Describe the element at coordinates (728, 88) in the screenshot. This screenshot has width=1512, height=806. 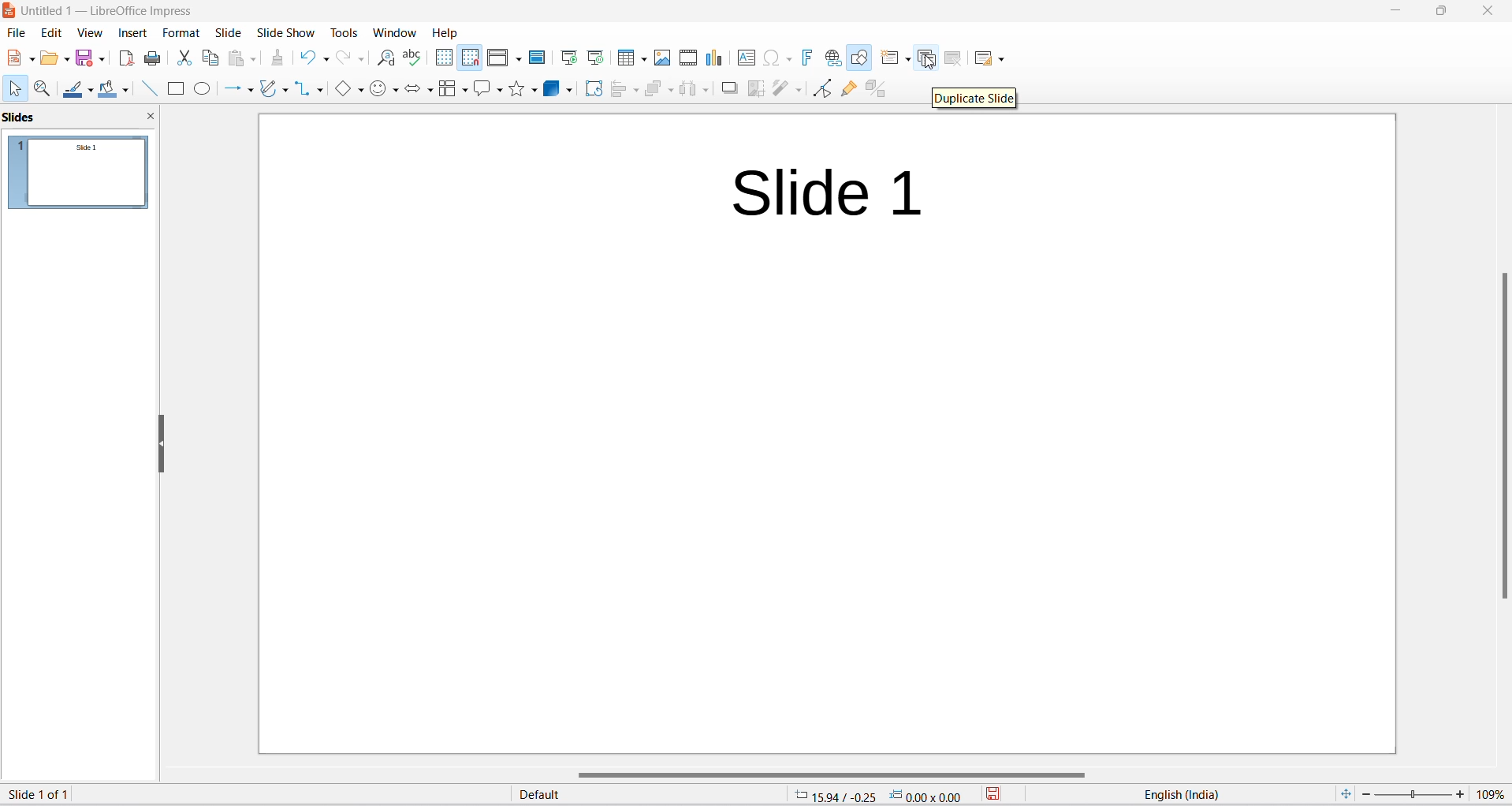
I see `Shadow` at that location.